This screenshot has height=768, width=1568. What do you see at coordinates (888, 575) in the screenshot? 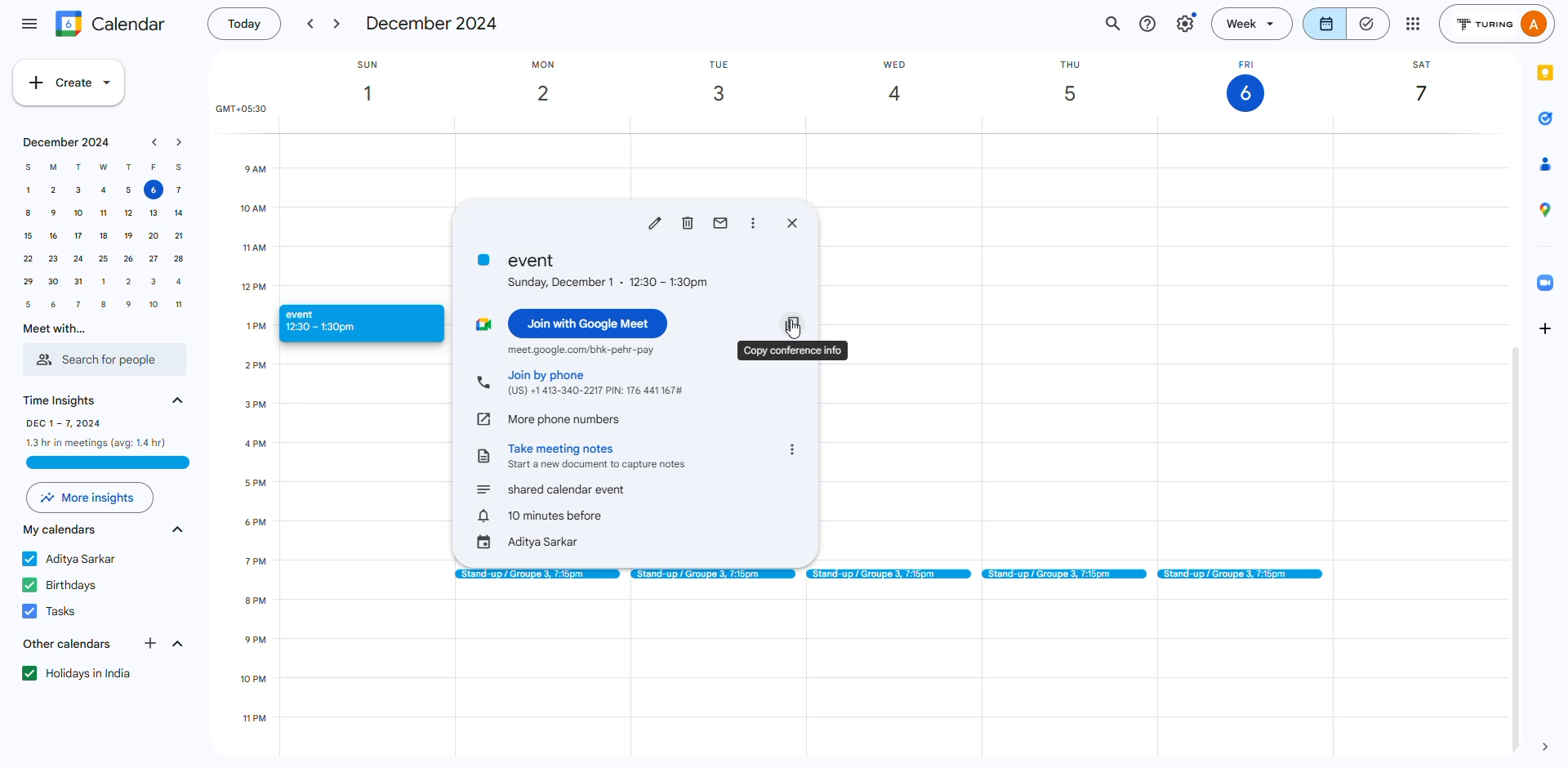
I see `meetings` at bounding box center [888, 575].